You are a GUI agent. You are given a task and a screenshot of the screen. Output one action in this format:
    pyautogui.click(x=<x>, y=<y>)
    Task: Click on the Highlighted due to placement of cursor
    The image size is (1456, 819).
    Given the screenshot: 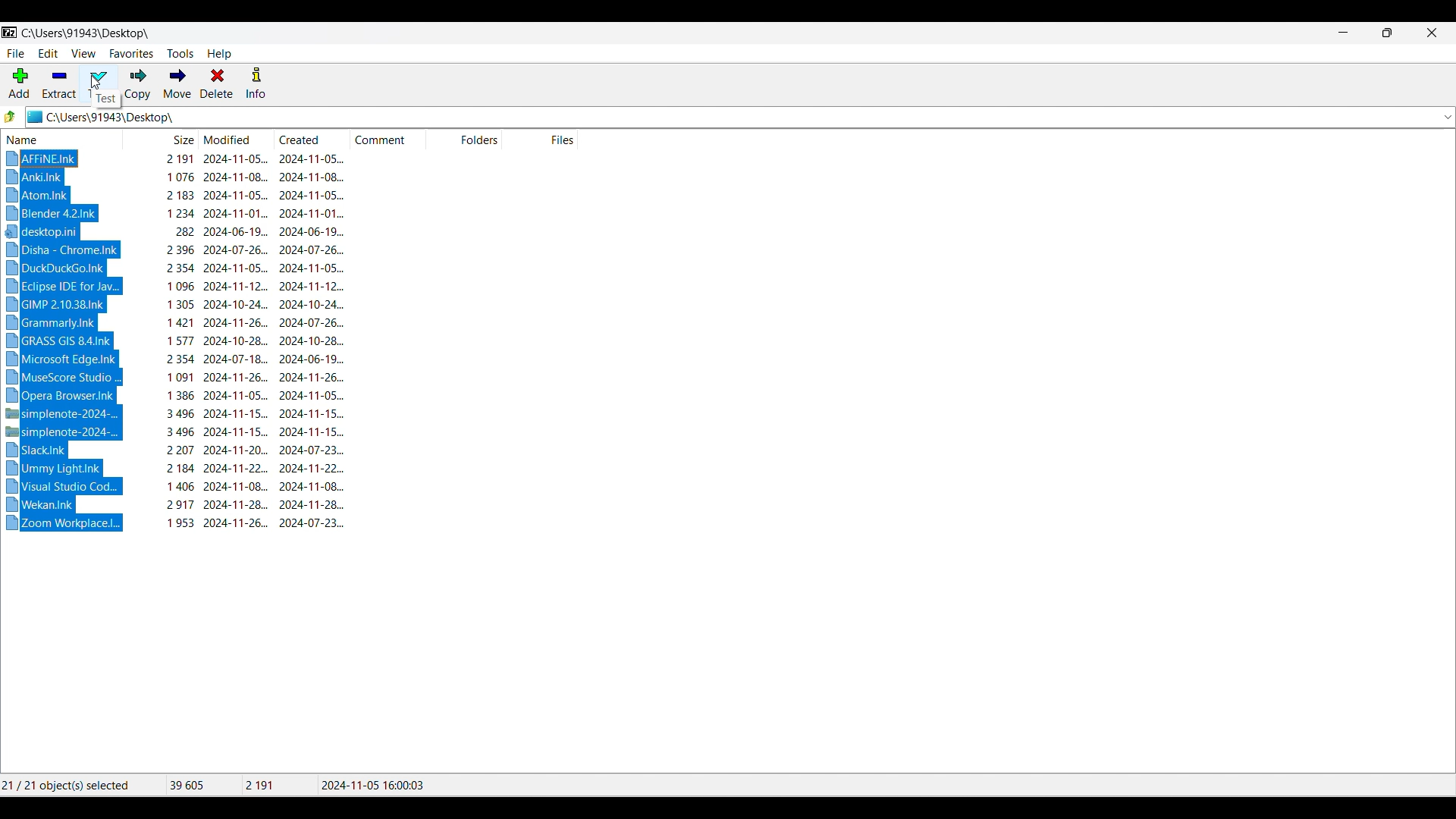 What is the action you would take?
    pyautogui.click(x=99, y=70)
    